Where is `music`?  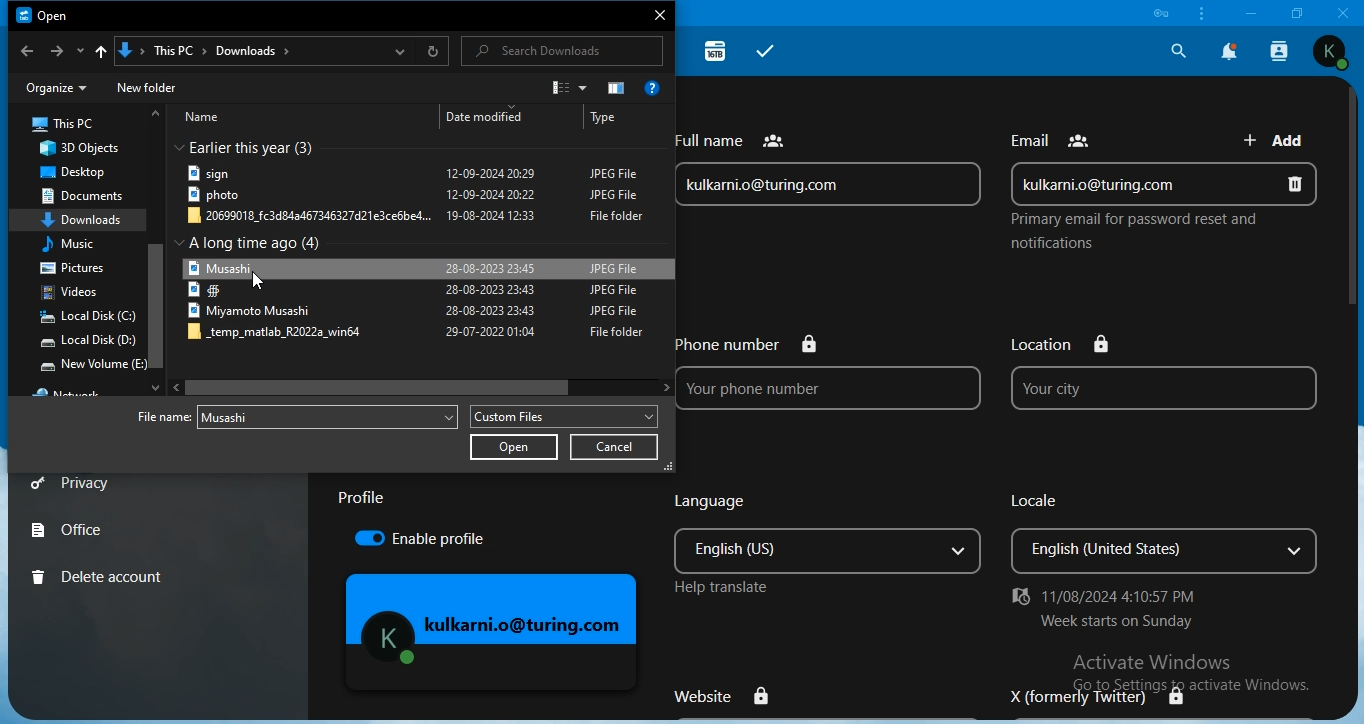 music is located at coordinates (74, 245).